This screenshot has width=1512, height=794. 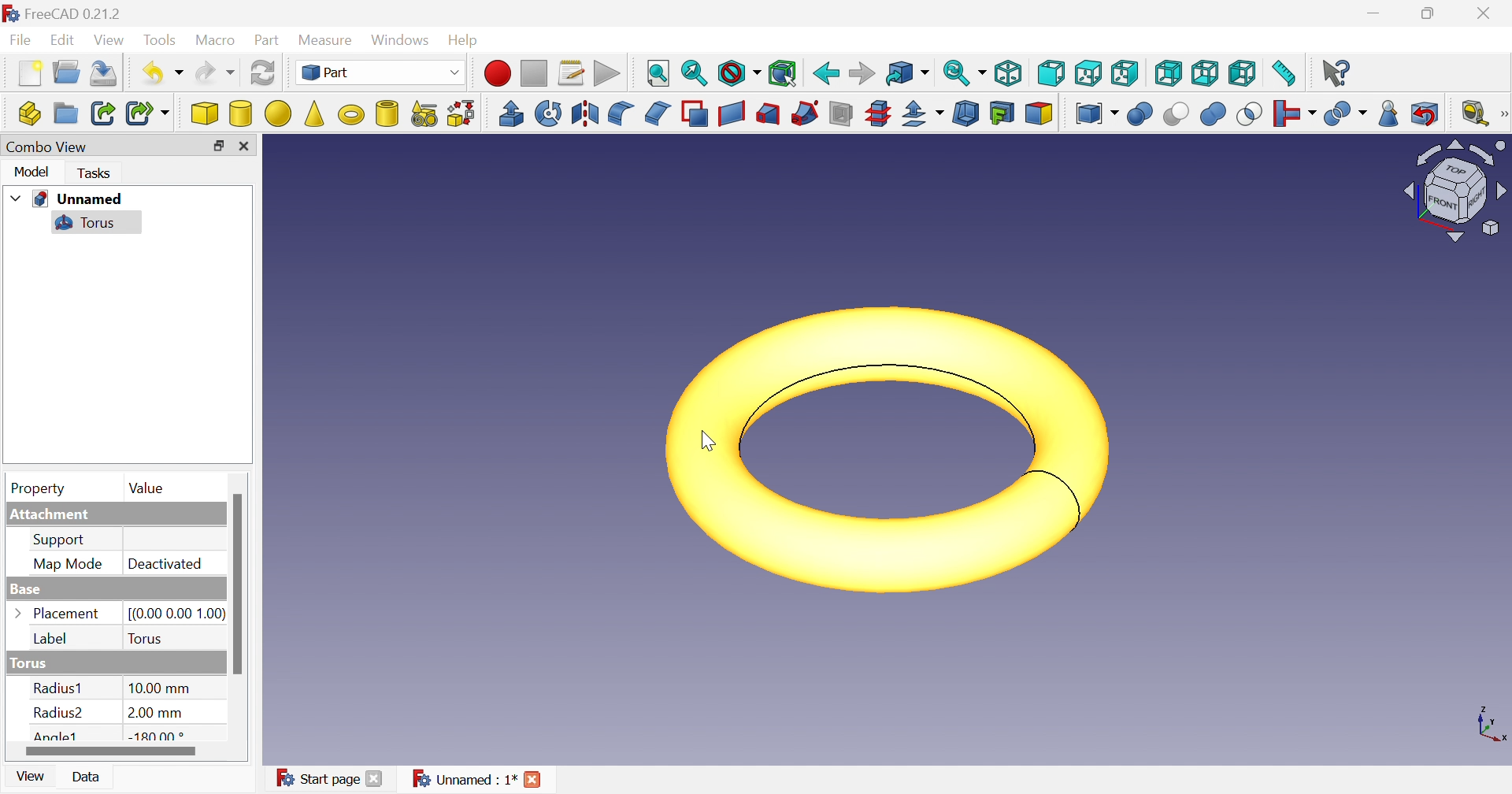 What do you see at coordinates (58, 714) in the screenshot?
I see `Radius2` at bounding box center [58, 714].